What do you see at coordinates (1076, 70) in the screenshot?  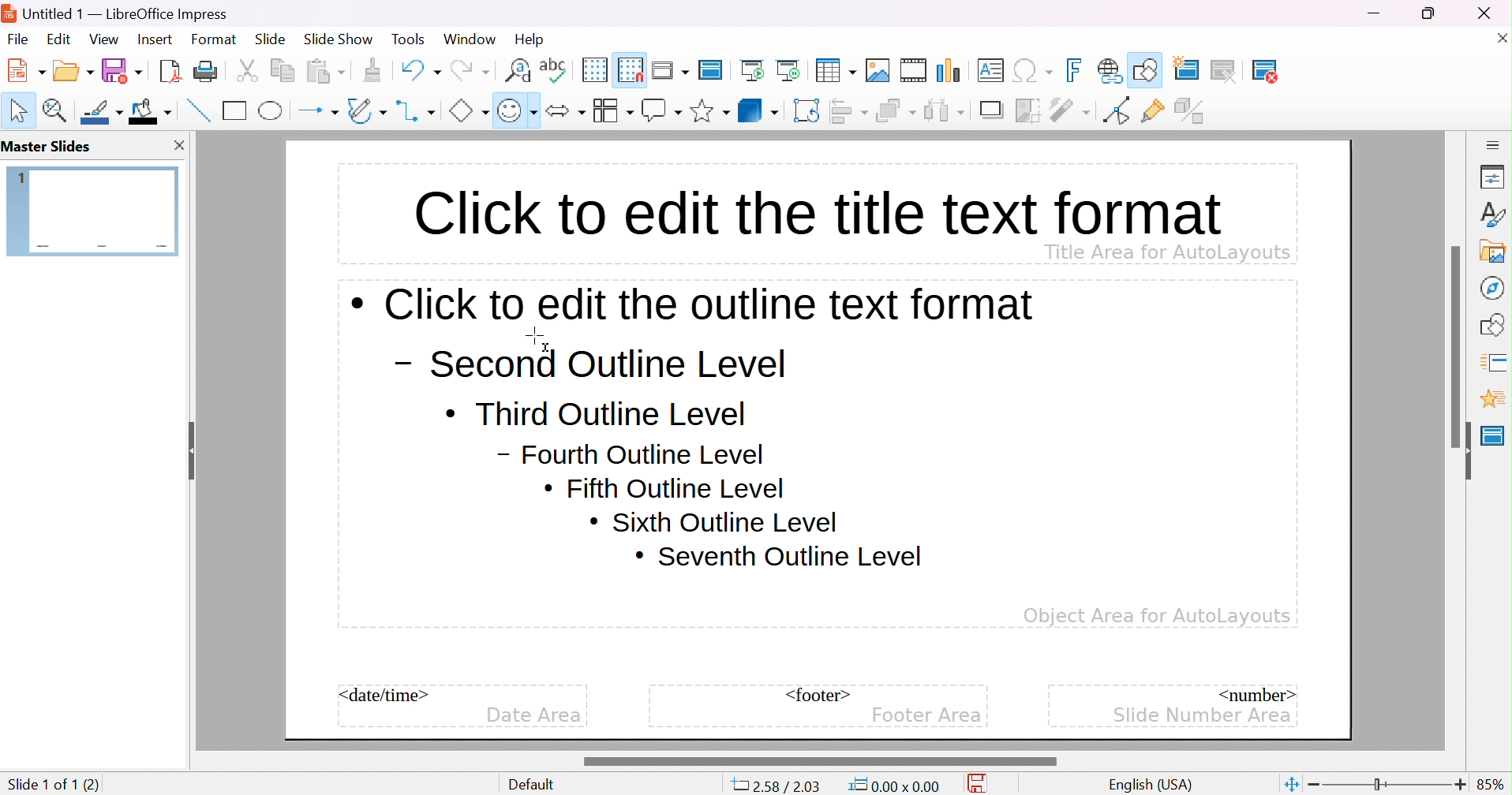 I see `insert fontwork text` at bounding box center [1076, 70].